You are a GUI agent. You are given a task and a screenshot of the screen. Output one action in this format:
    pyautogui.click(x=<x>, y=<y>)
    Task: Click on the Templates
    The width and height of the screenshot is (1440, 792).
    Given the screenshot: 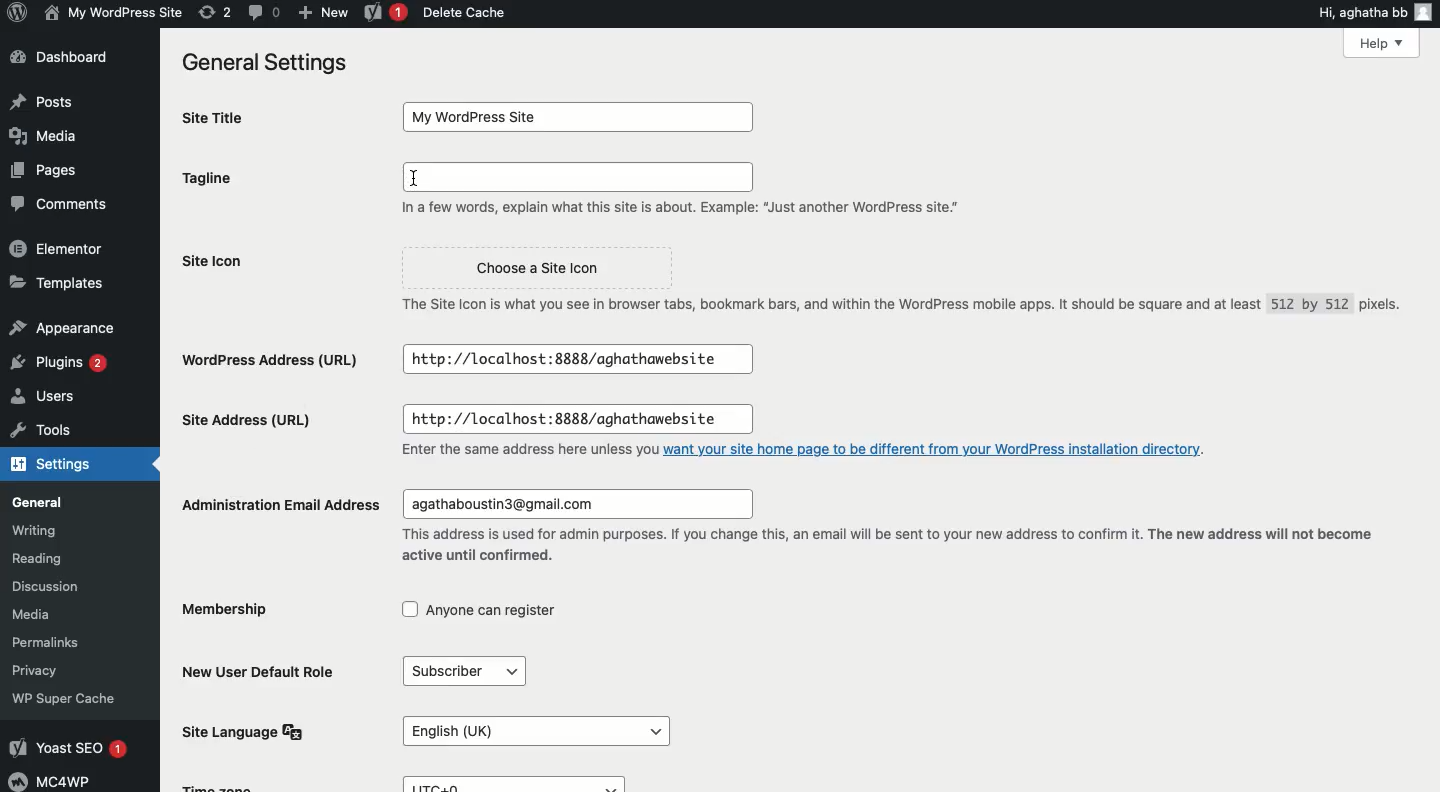 What is the action you would take?
    pyautogui.click(x=59, y=283)
    